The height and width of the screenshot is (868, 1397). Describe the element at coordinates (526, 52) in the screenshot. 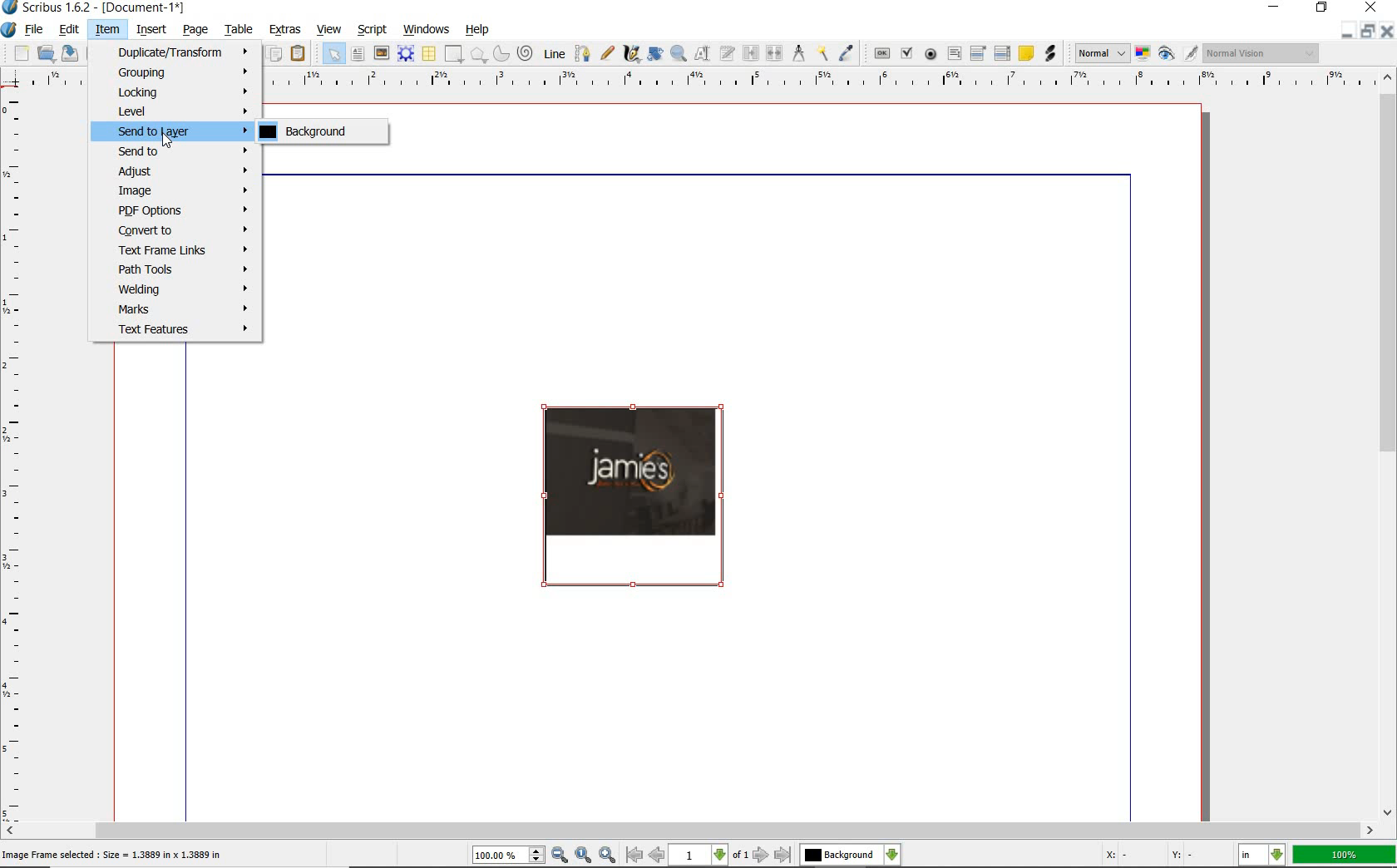

I see `spiral` at that location.